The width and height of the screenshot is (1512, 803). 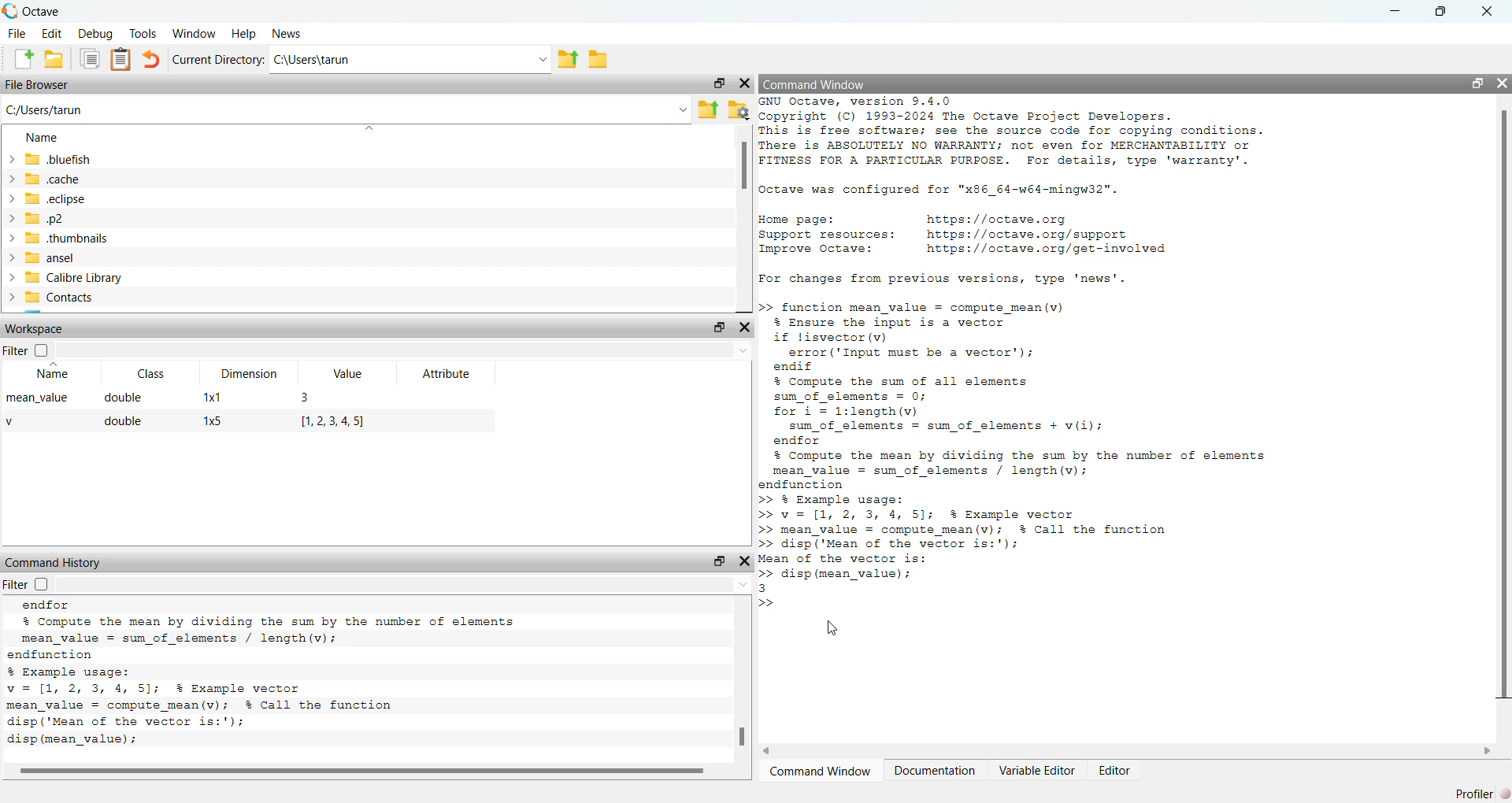 I want to click on help, so click(x=244, y=33).